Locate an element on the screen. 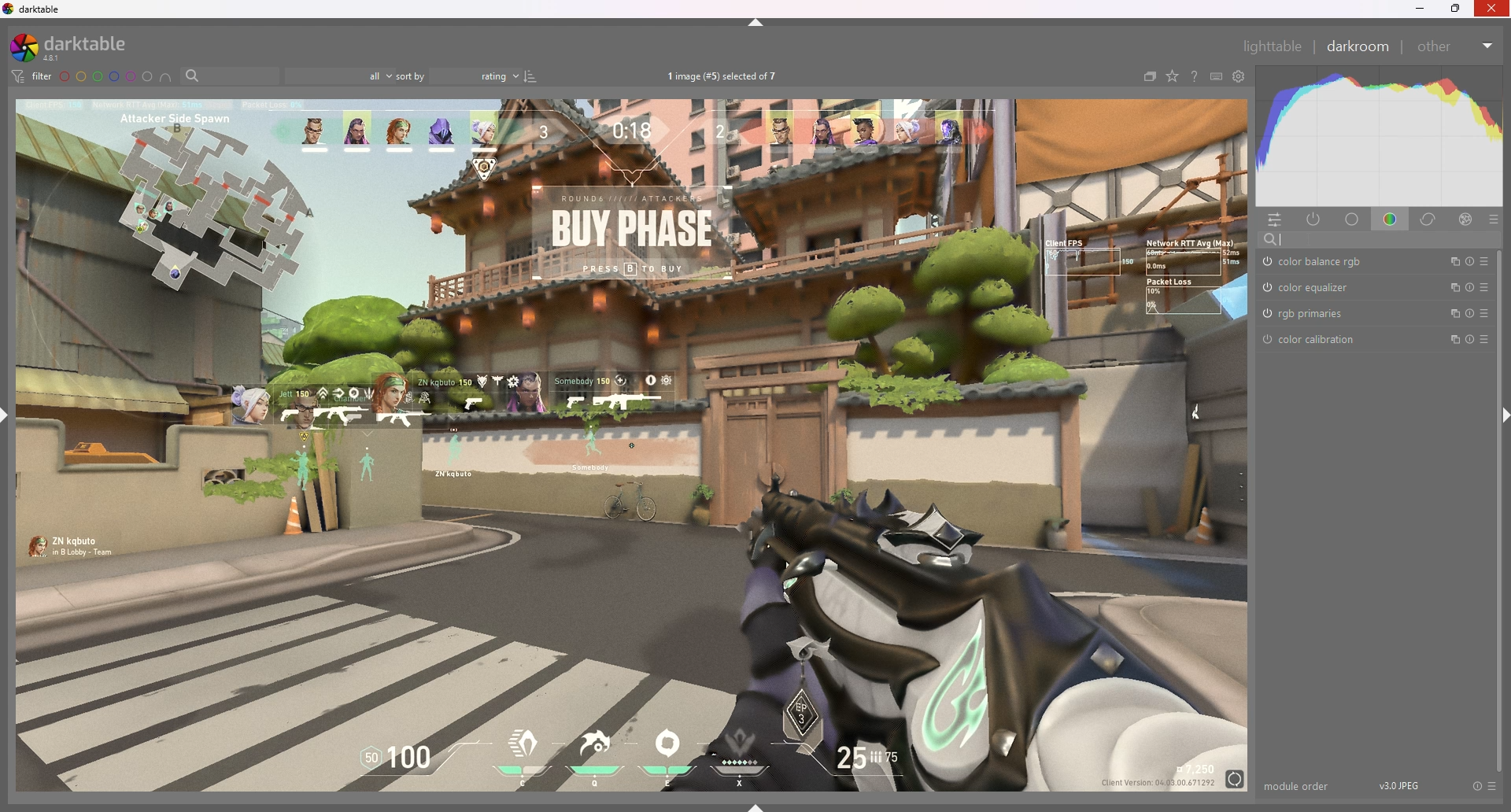 This screenshot has width=1511, height=812. reset is located at coordinates (1468, 288).